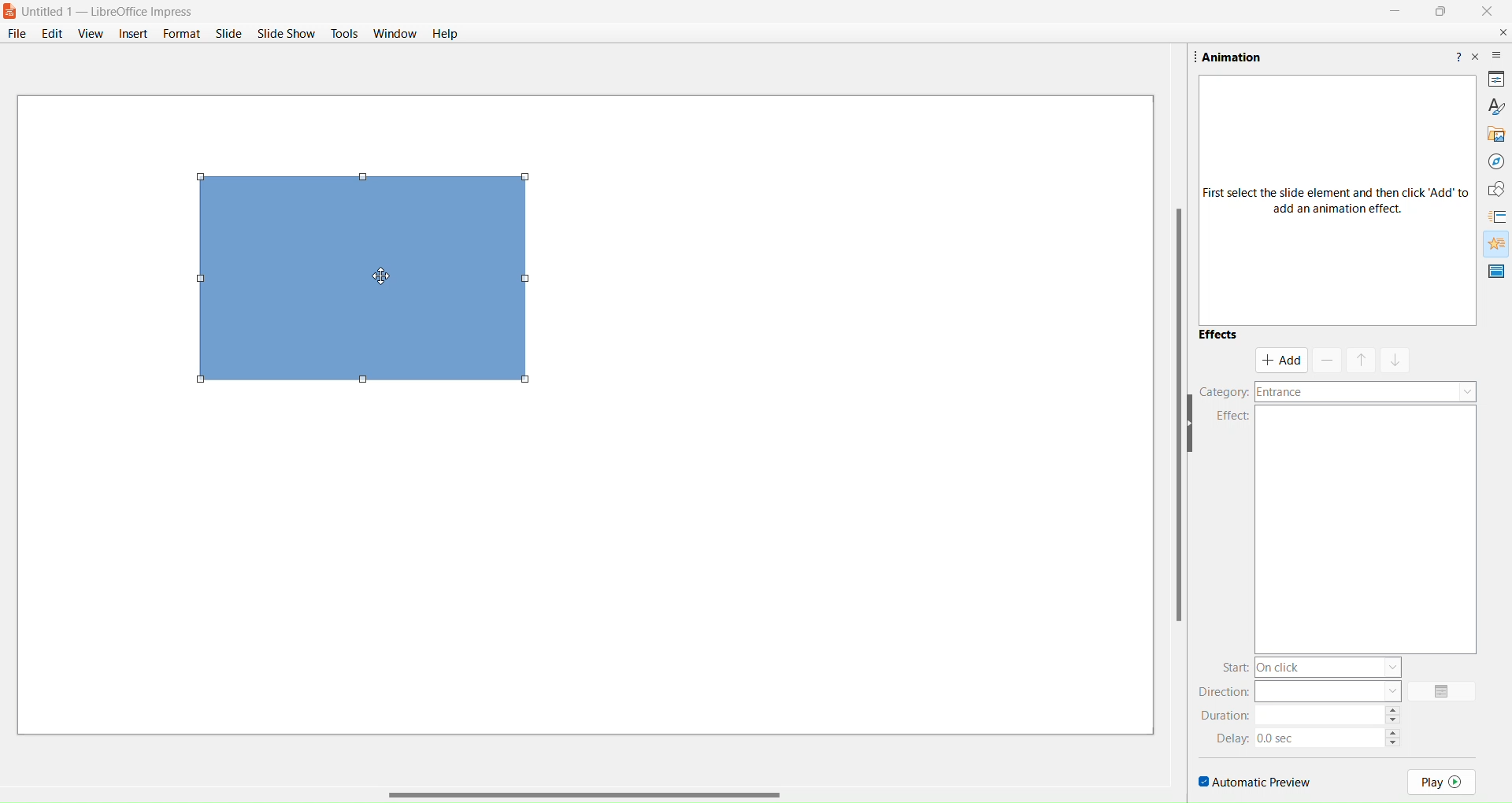 The width and height of the screenshot is (1512, 803). I want to click on help, so click(445, 35).